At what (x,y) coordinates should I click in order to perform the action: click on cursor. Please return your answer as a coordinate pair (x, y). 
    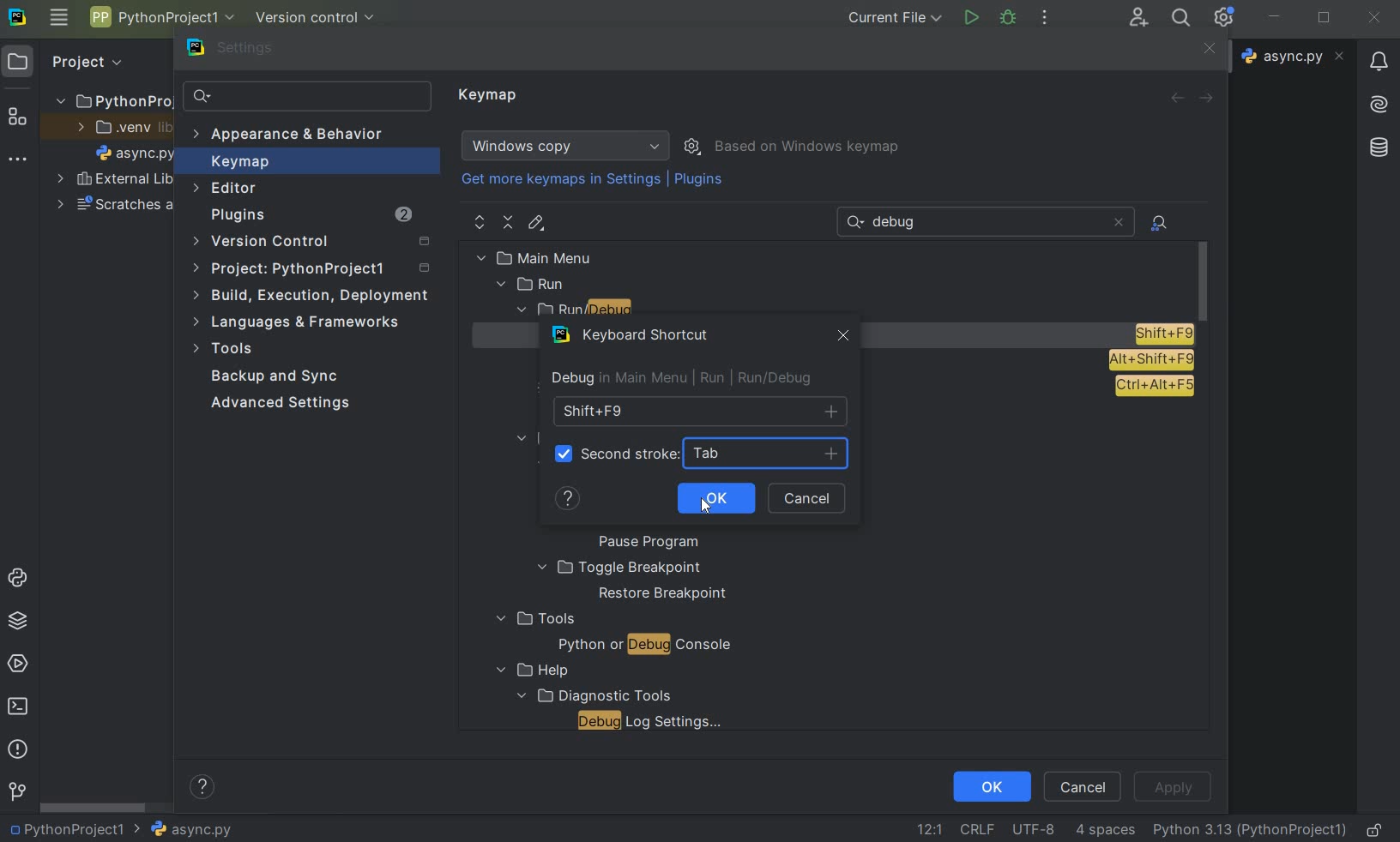
    Looking at the image, I should click on (705, 507).